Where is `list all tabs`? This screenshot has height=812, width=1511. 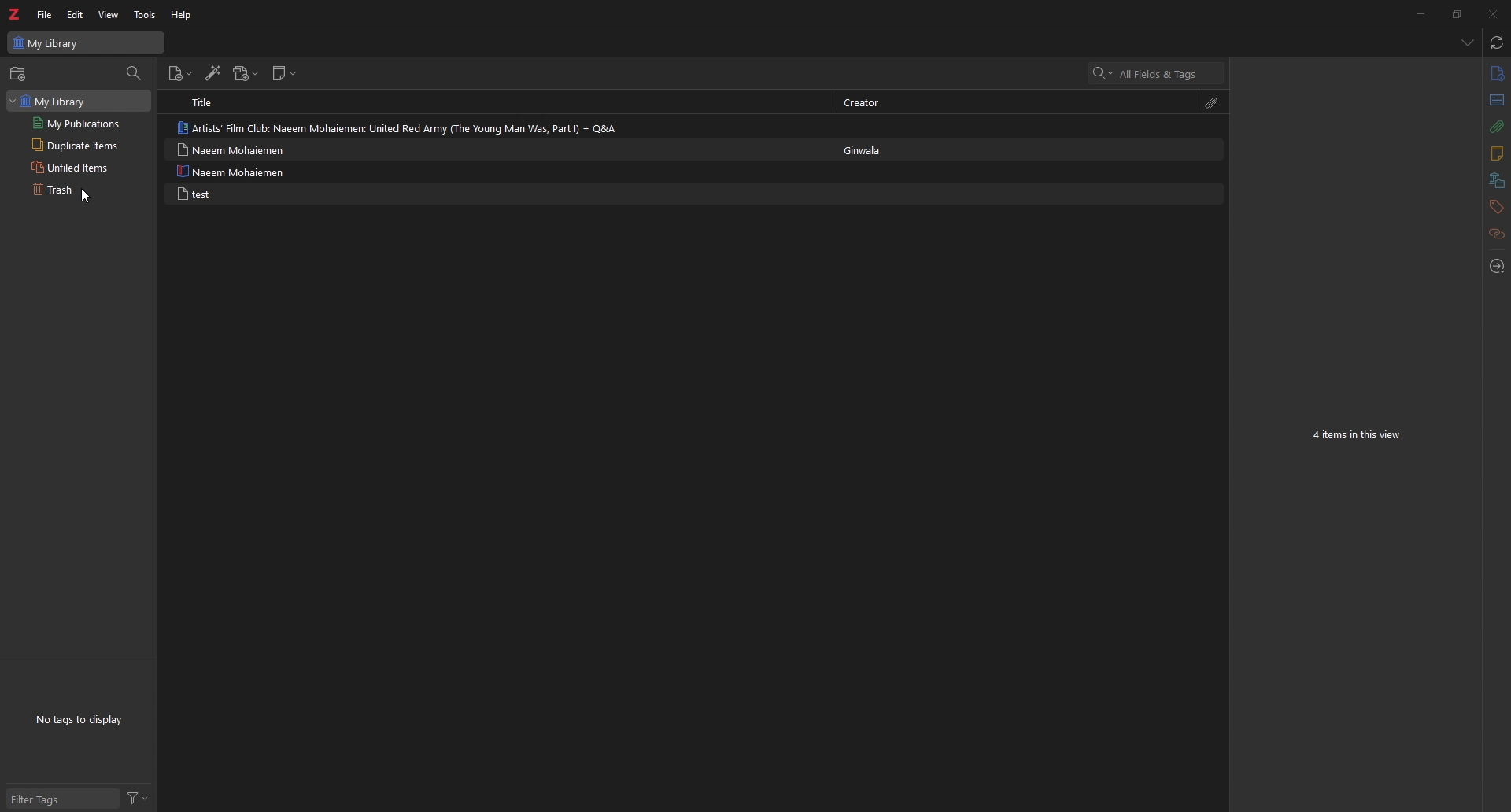 list all tabs is located at coordinates (1465, 42).